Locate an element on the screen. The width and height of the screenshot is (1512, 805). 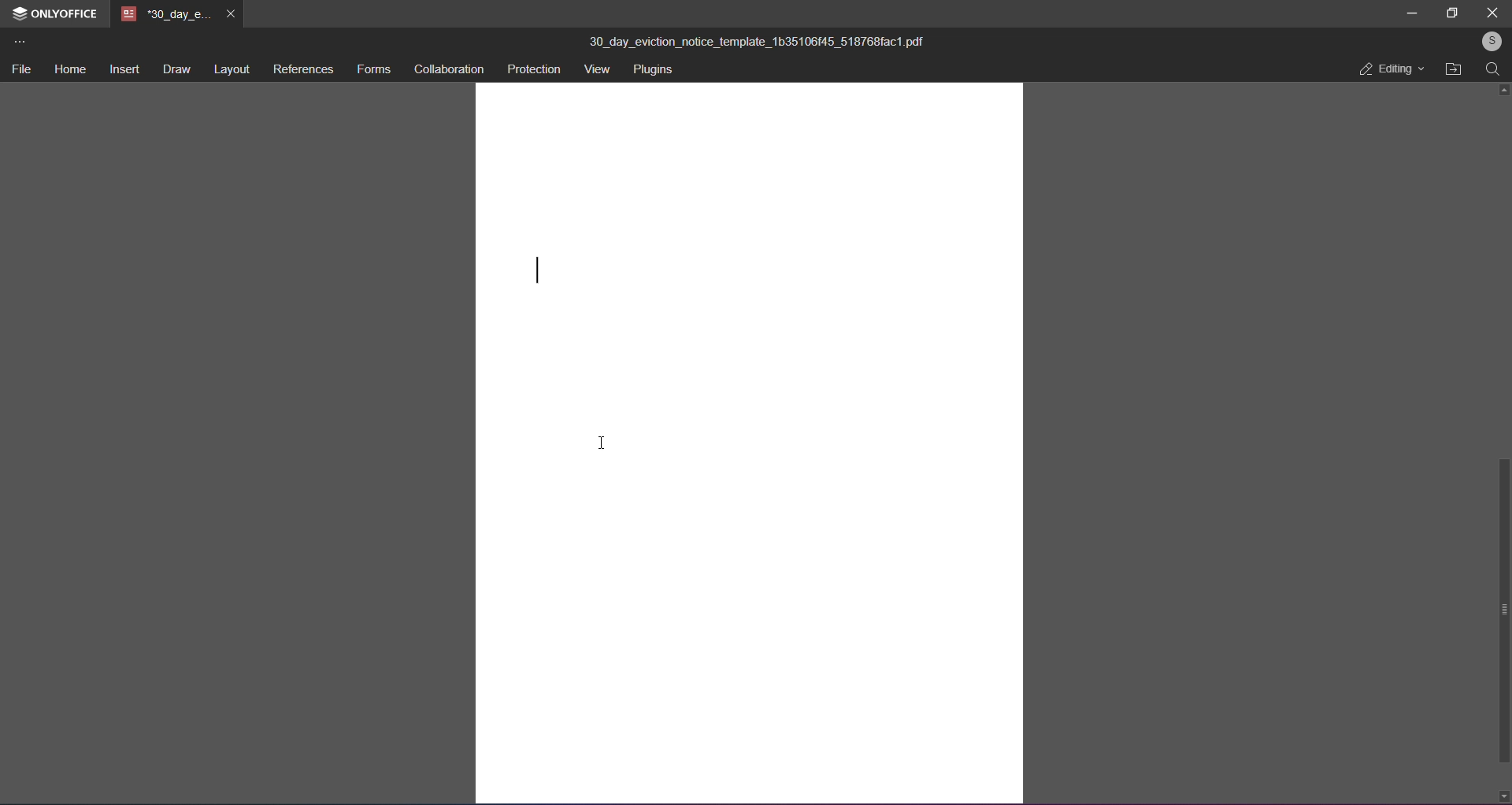
tab name is located at coordinates (165, 14).